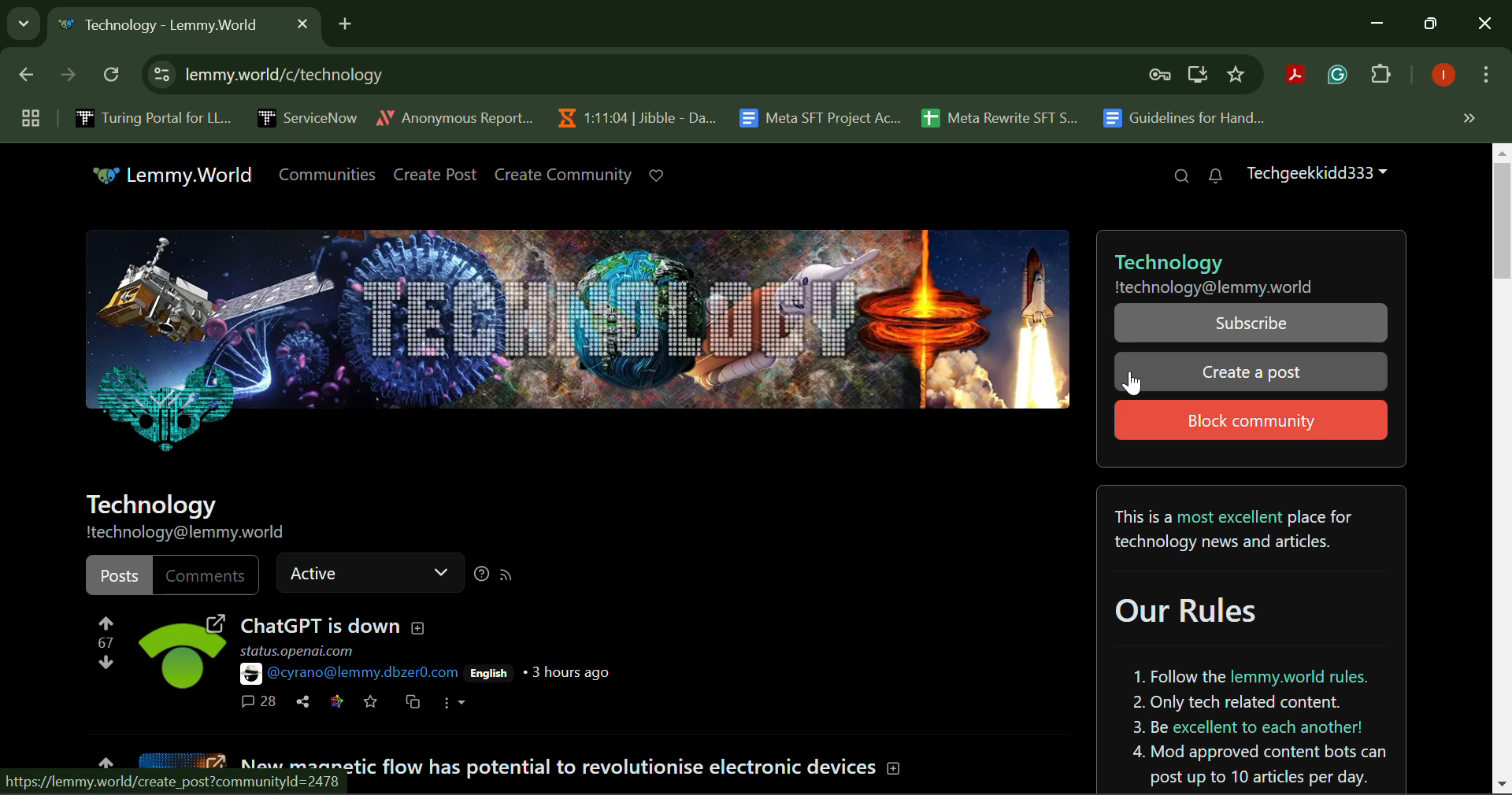  What do you see at coordinates (30, 117) in the screenshot?
I see `Group Tabs` at bounding box center [30, 117].